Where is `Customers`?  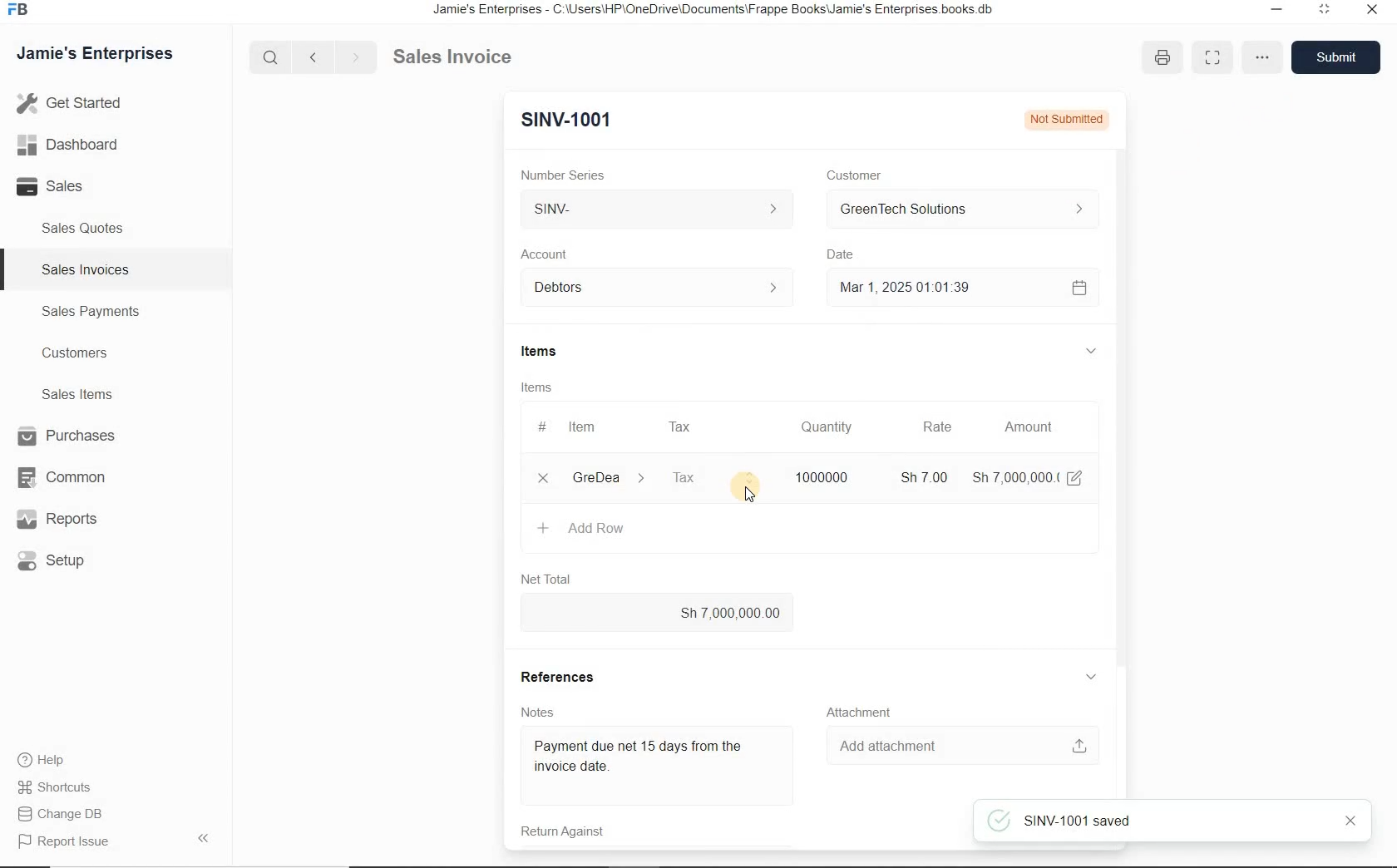 Customers is located at coordinates (72, 353).